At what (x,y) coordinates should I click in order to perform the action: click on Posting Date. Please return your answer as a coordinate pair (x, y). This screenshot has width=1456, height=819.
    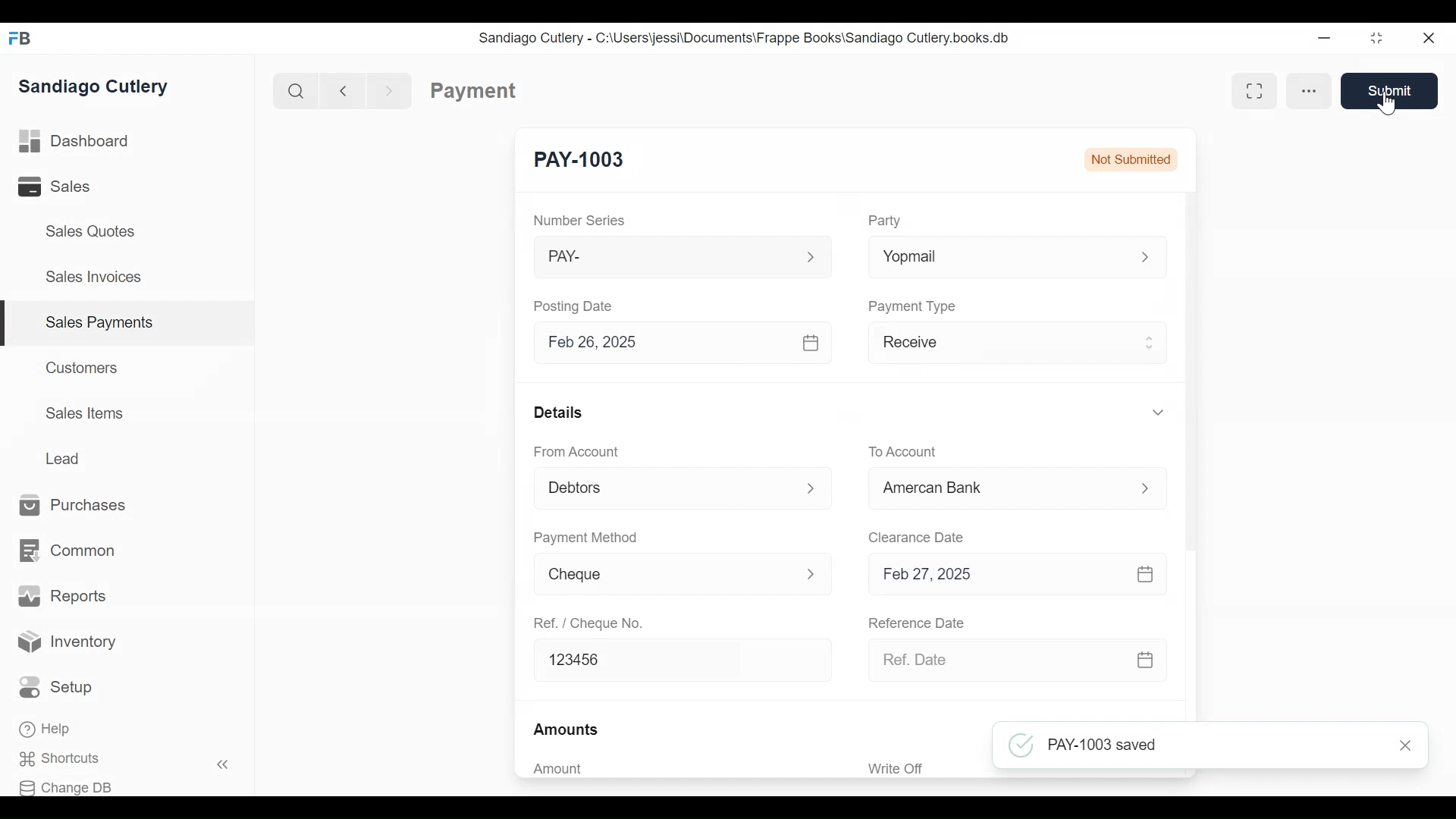
    Looking at the image, I should click on (575, 306).